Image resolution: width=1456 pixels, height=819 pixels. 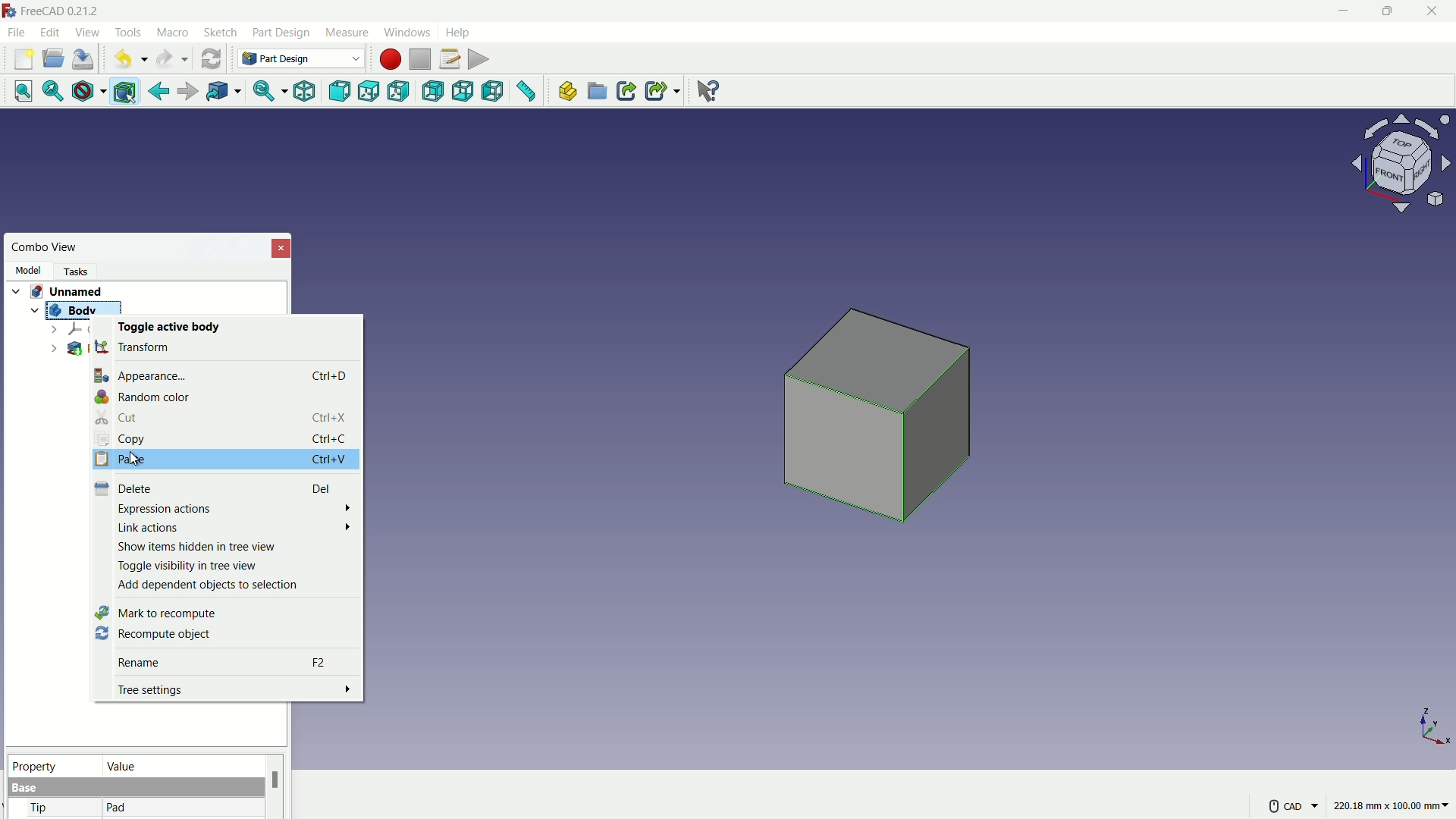 What do you see at coordinates (159, 92) in the screenshot?
I see `go back` at bounding box center [159, 92].